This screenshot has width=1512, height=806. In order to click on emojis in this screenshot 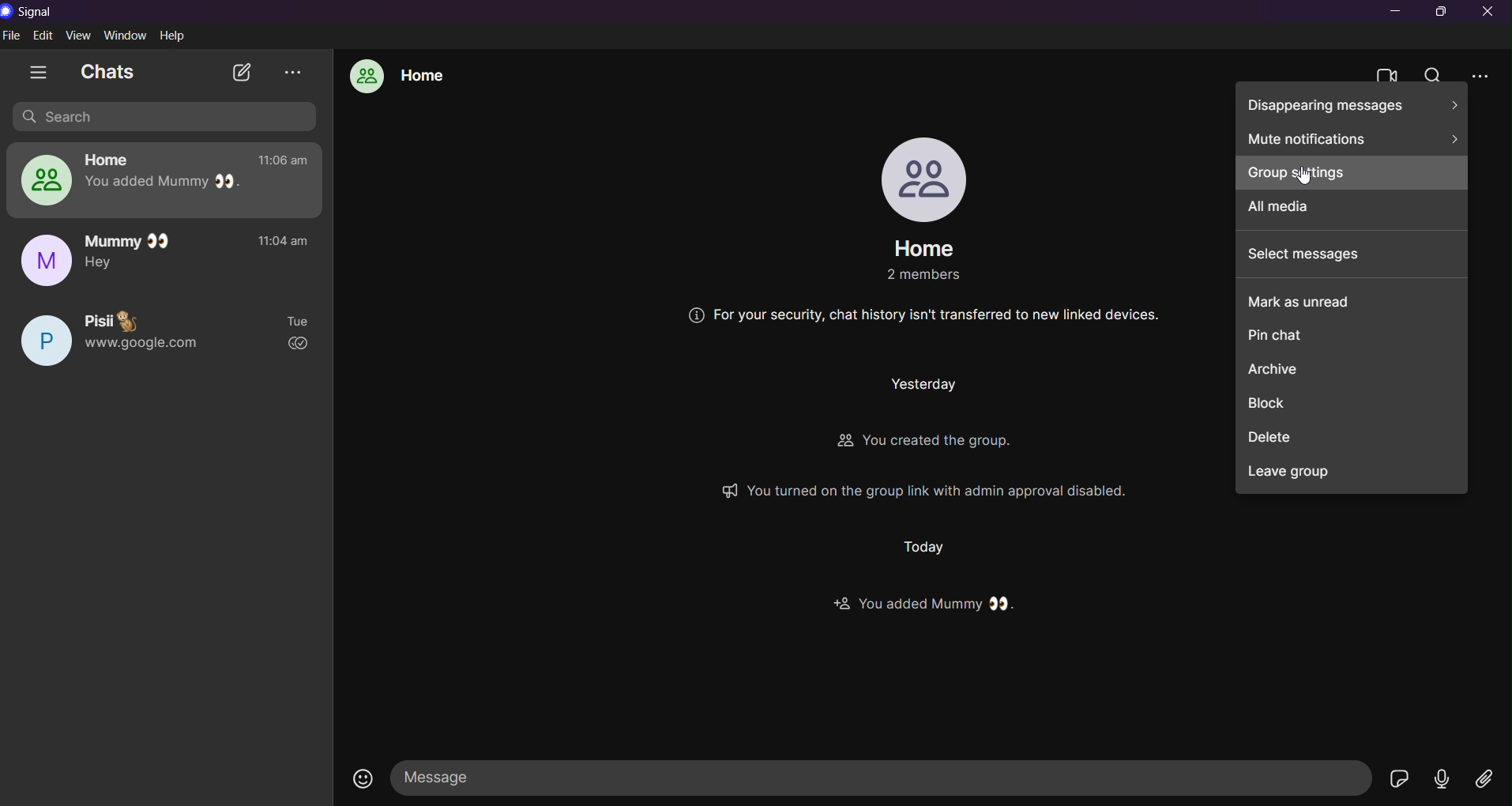, I will do `click(361, 780)`.